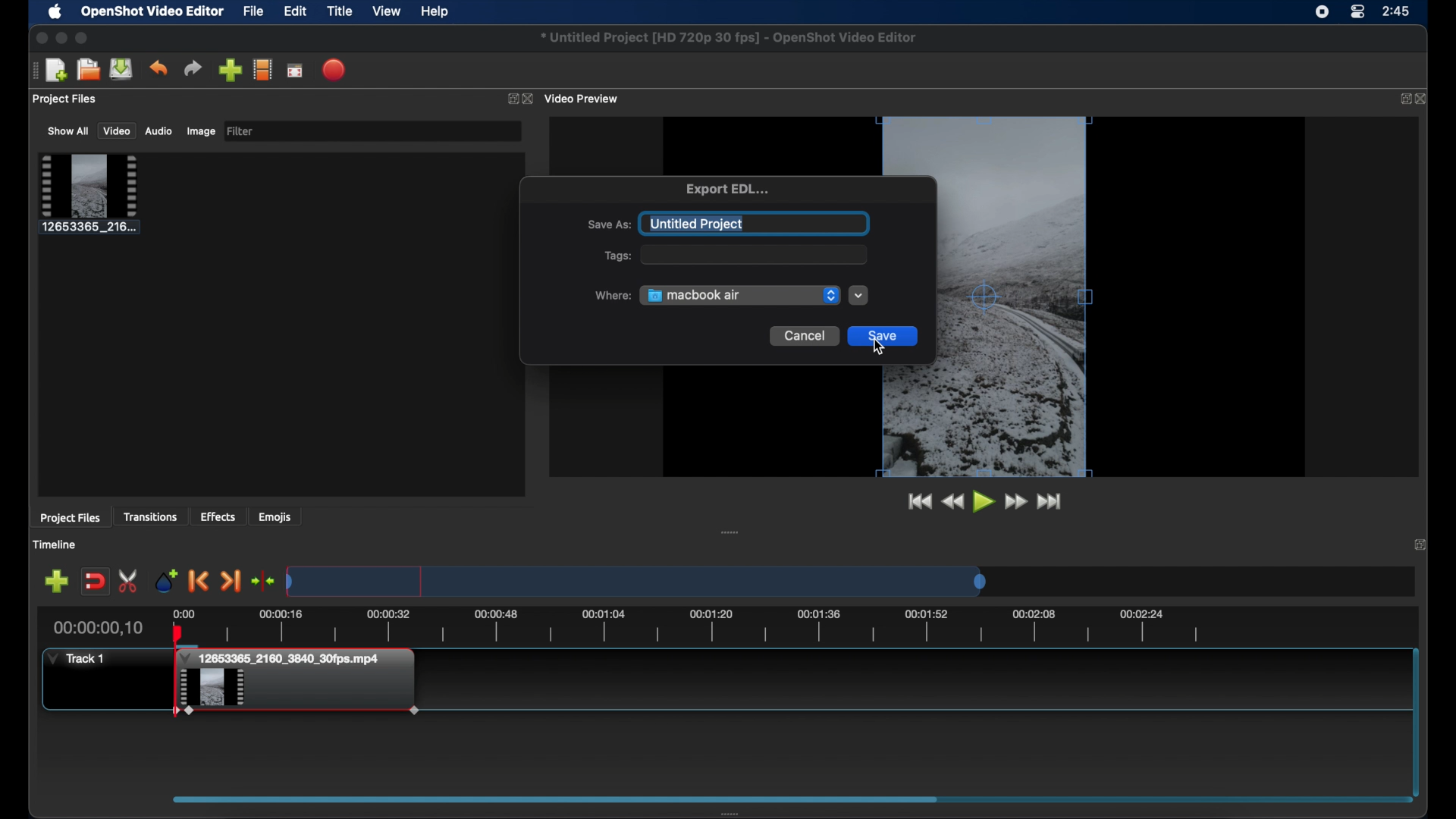 This screenshot has height=819, width=1456. What do you see at coordinates (66, 100) in the screenshot?
I see `project files` at bounding box center [66, 100].